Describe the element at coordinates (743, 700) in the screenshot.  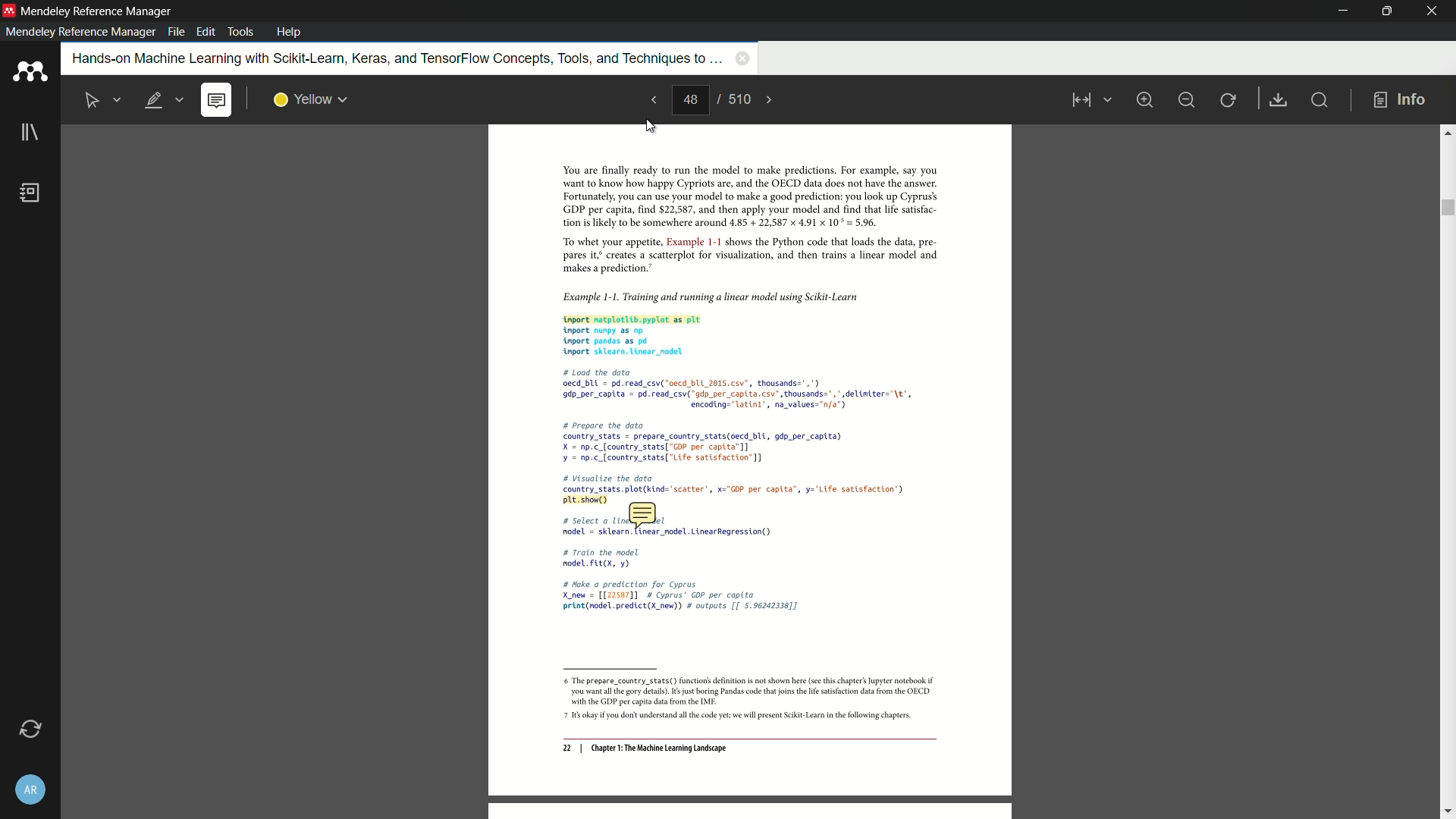
I see `6 The prepare_country_stats() function's definition is not shown here (see this chapter's Jupyter notebook if
‘you want al th gory details). 6s just boring Pandas code that joins th ie satisfaction data from the OECD
‘with the GDP per capita dta from the IMF:

7 1s okay you dont understand all the code yet we will present Scikit-Lear inthe following chapters.` at that location.